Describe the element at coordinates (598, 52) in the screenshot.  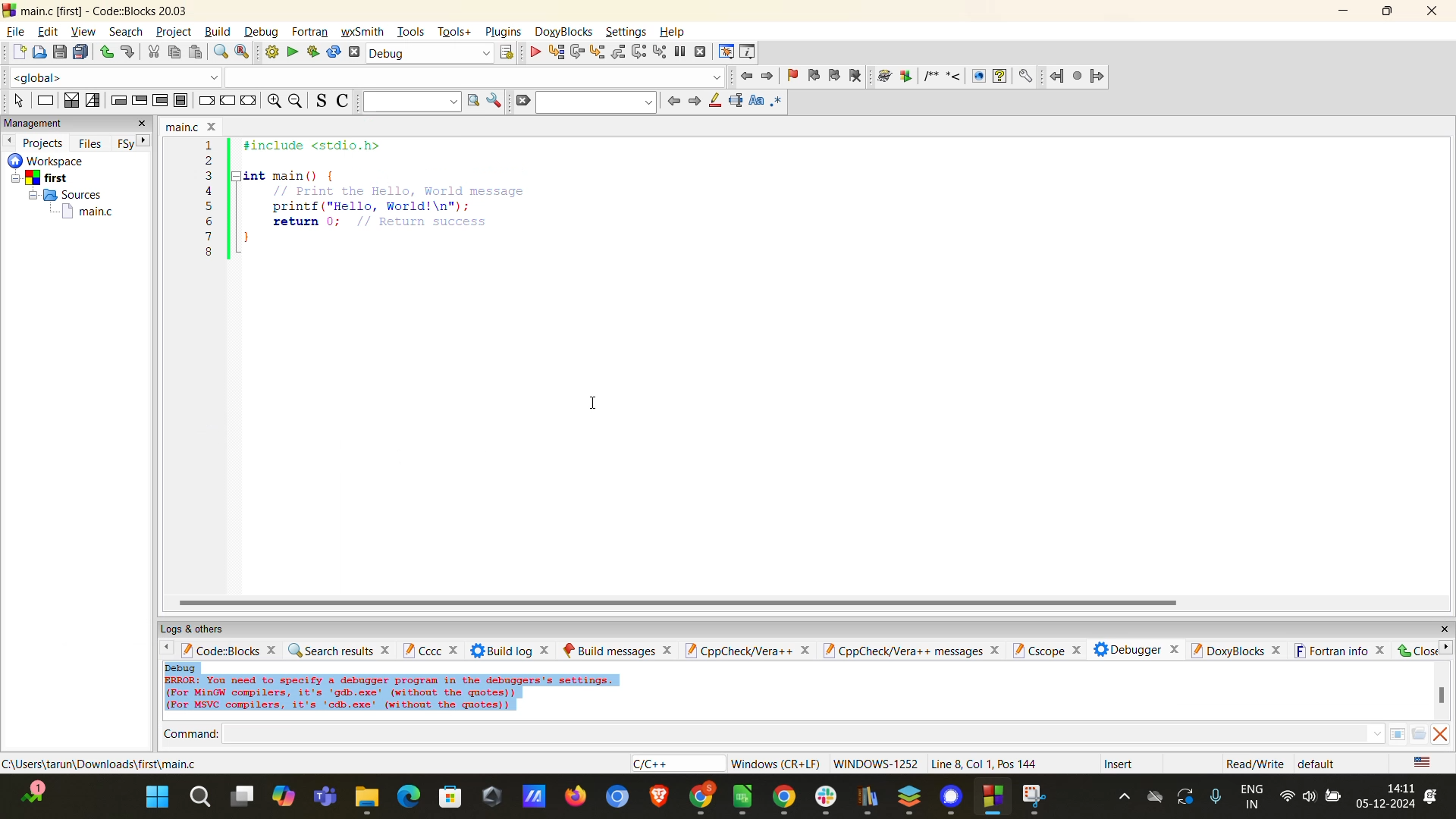
I see `step into` at that location.